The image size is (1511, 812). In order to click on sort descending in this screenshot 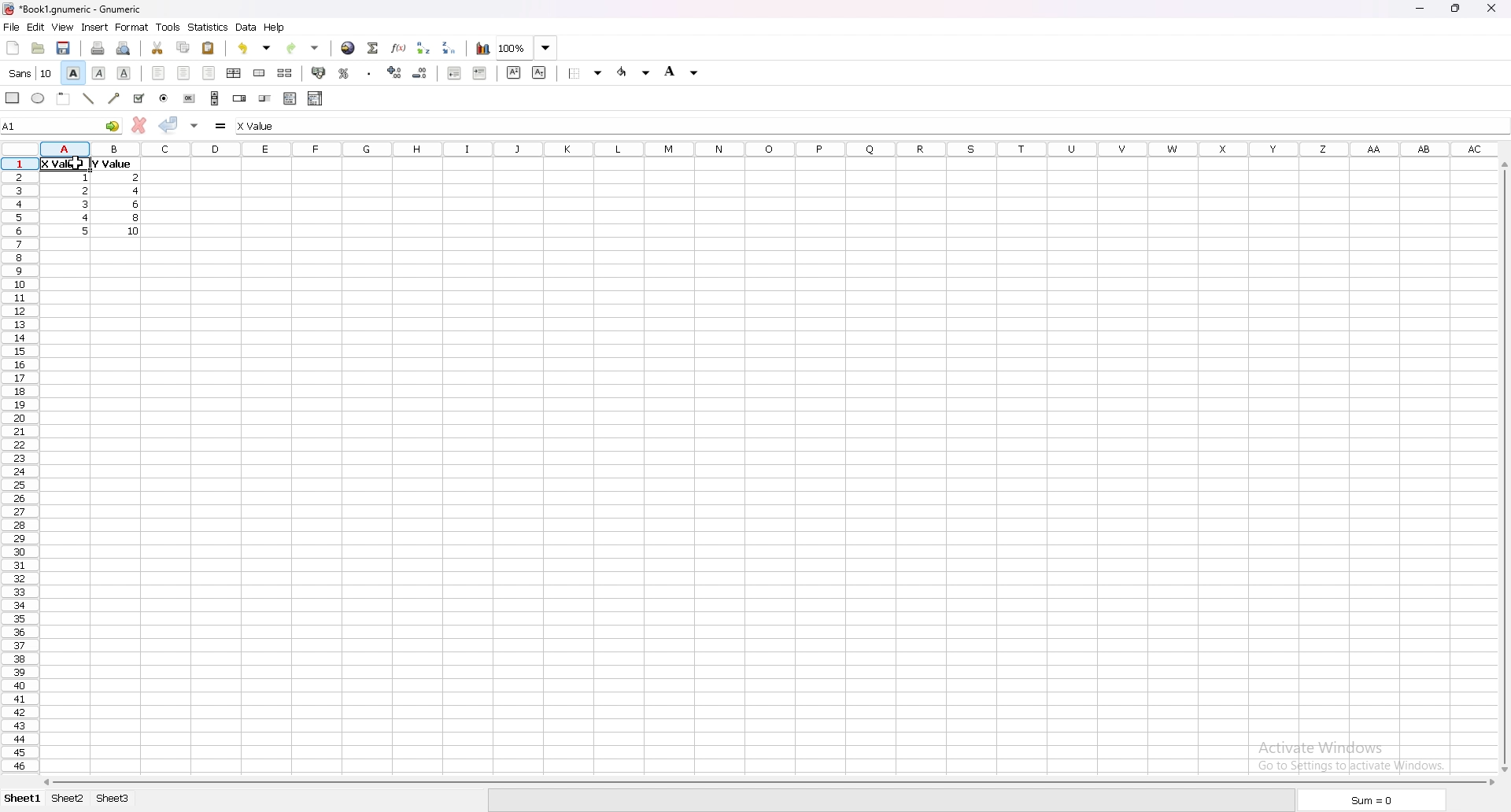, I will do `click(449, 47)`.